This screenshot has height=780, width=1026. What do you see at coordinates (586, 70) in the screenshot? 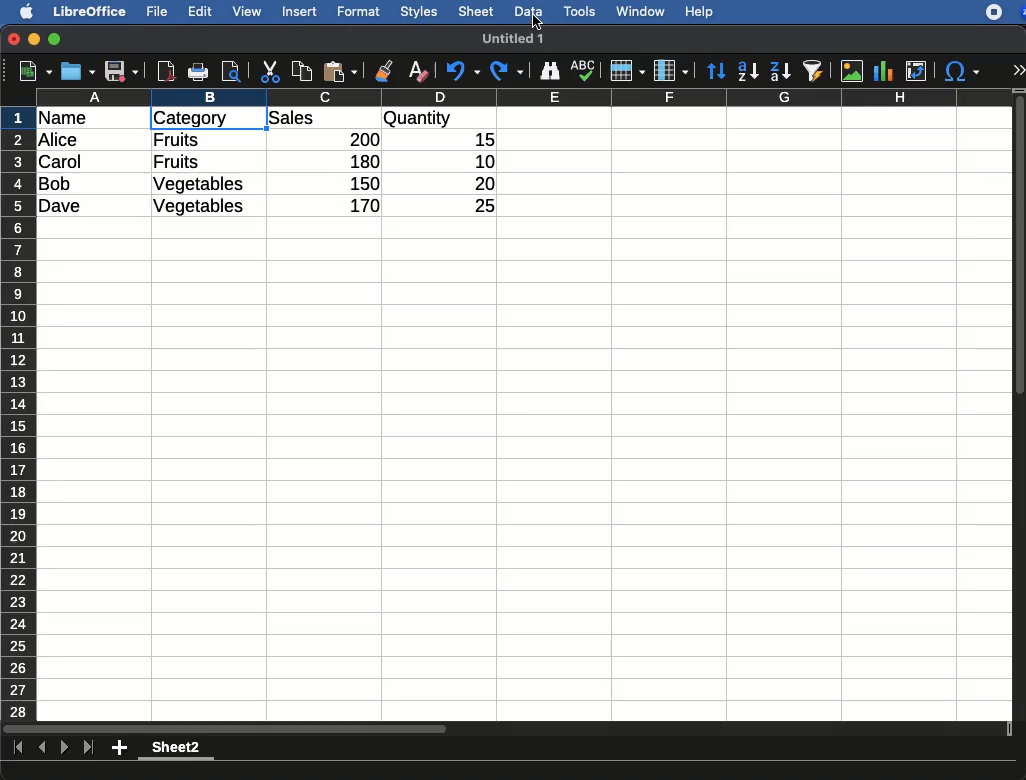
I see `spell check` at bounding box center [586, 70].